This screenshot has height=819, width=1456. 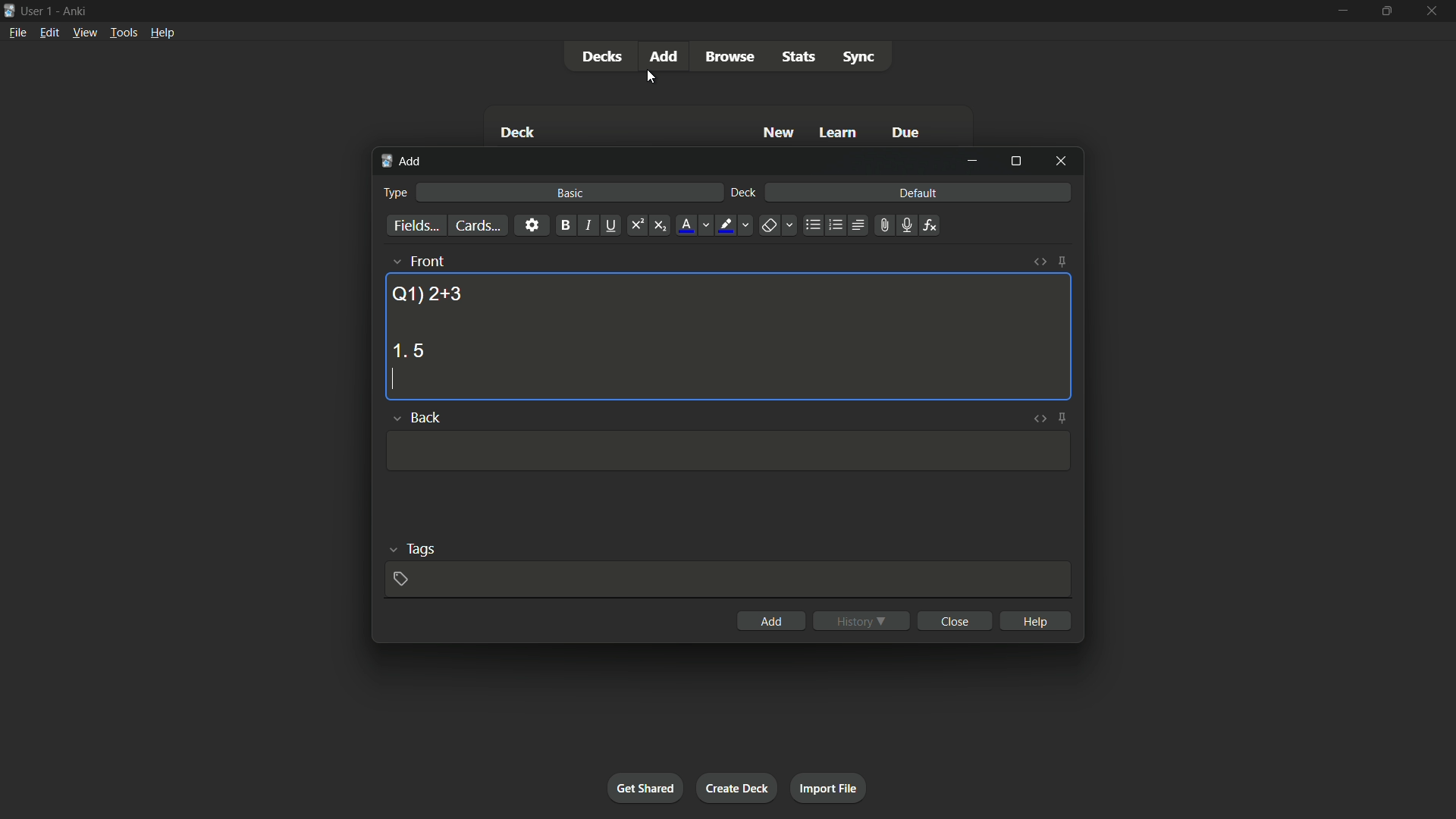 What do you see at coordinates (422, 548) in the screenshot?
I see `tags` at bounding box center [422, 548].